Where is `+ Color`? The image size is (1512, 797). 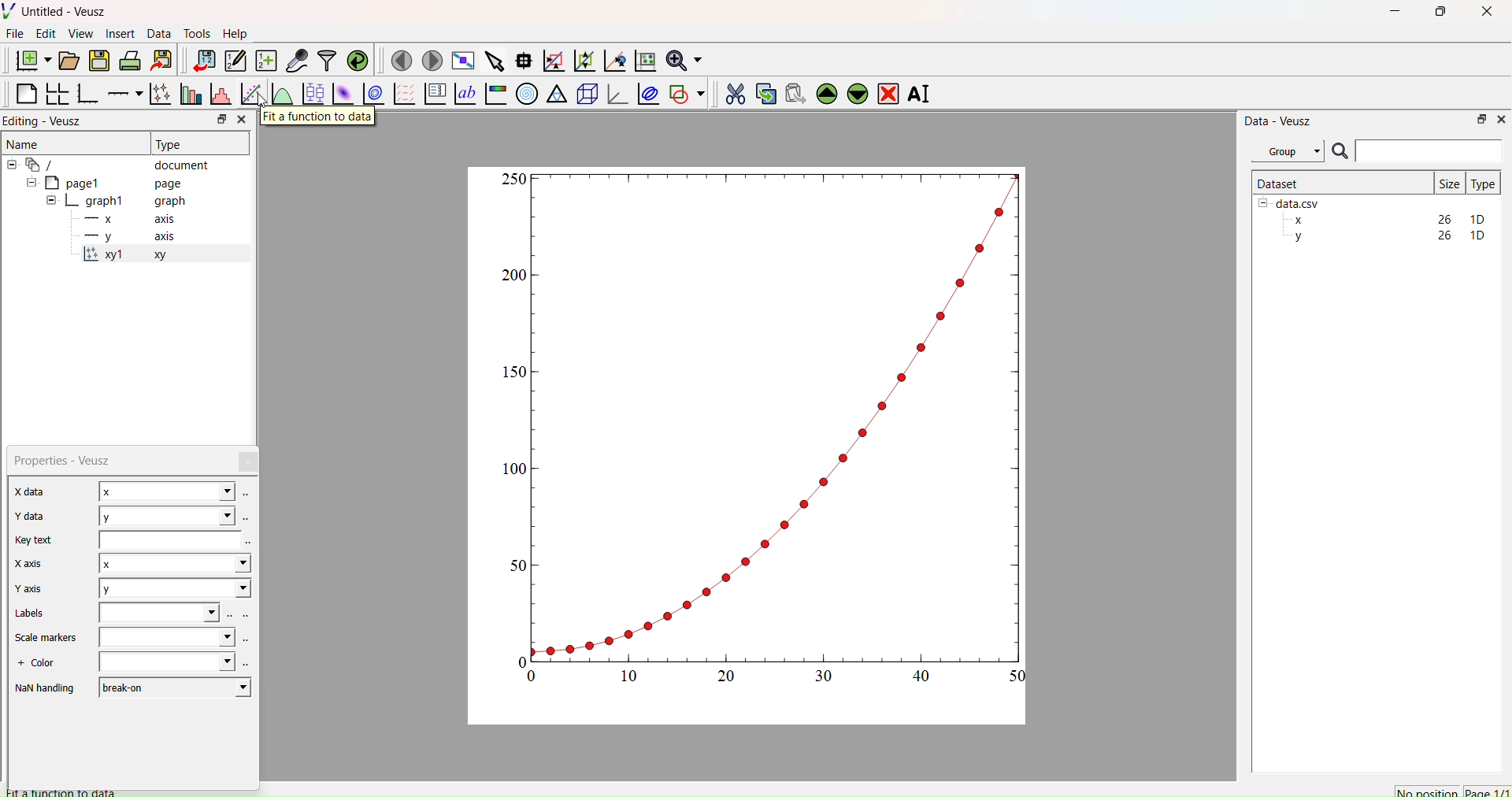 + Color is located at coordinates (42, 662).